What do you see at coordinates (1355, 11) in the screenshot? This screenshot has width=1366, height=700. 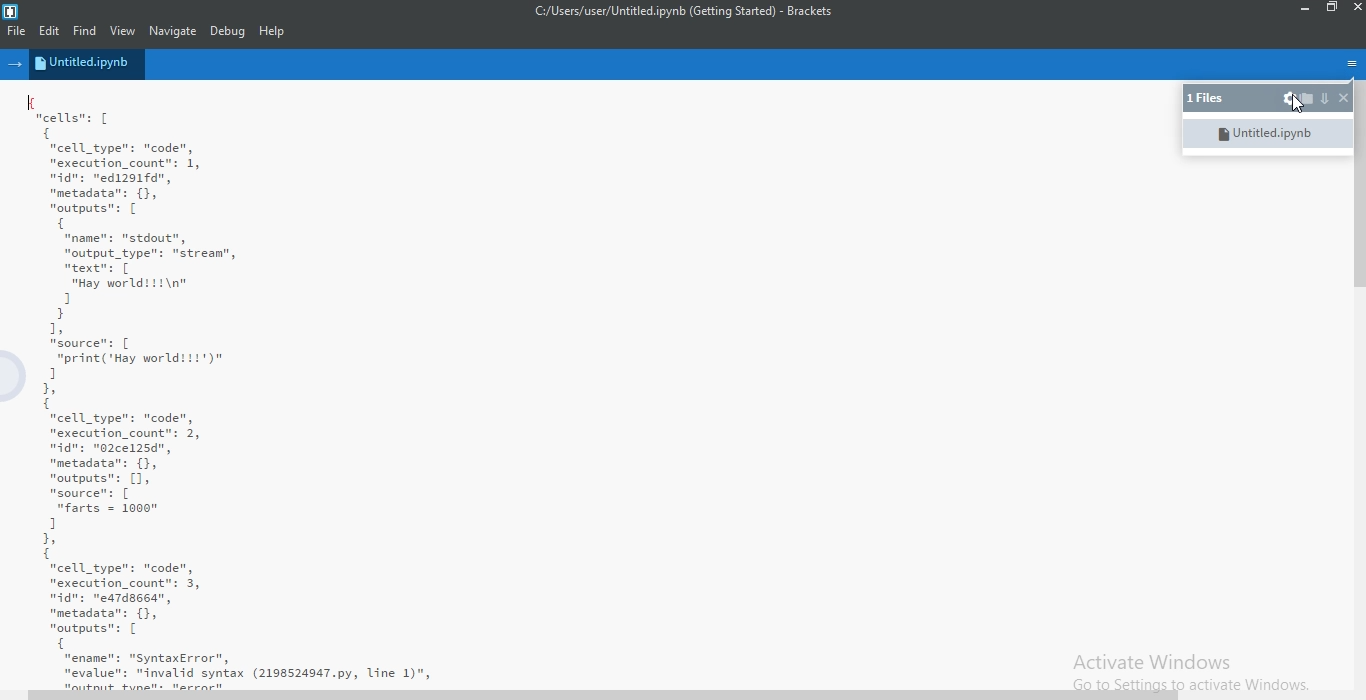 I see `close` at bounding box center [1355, 11].